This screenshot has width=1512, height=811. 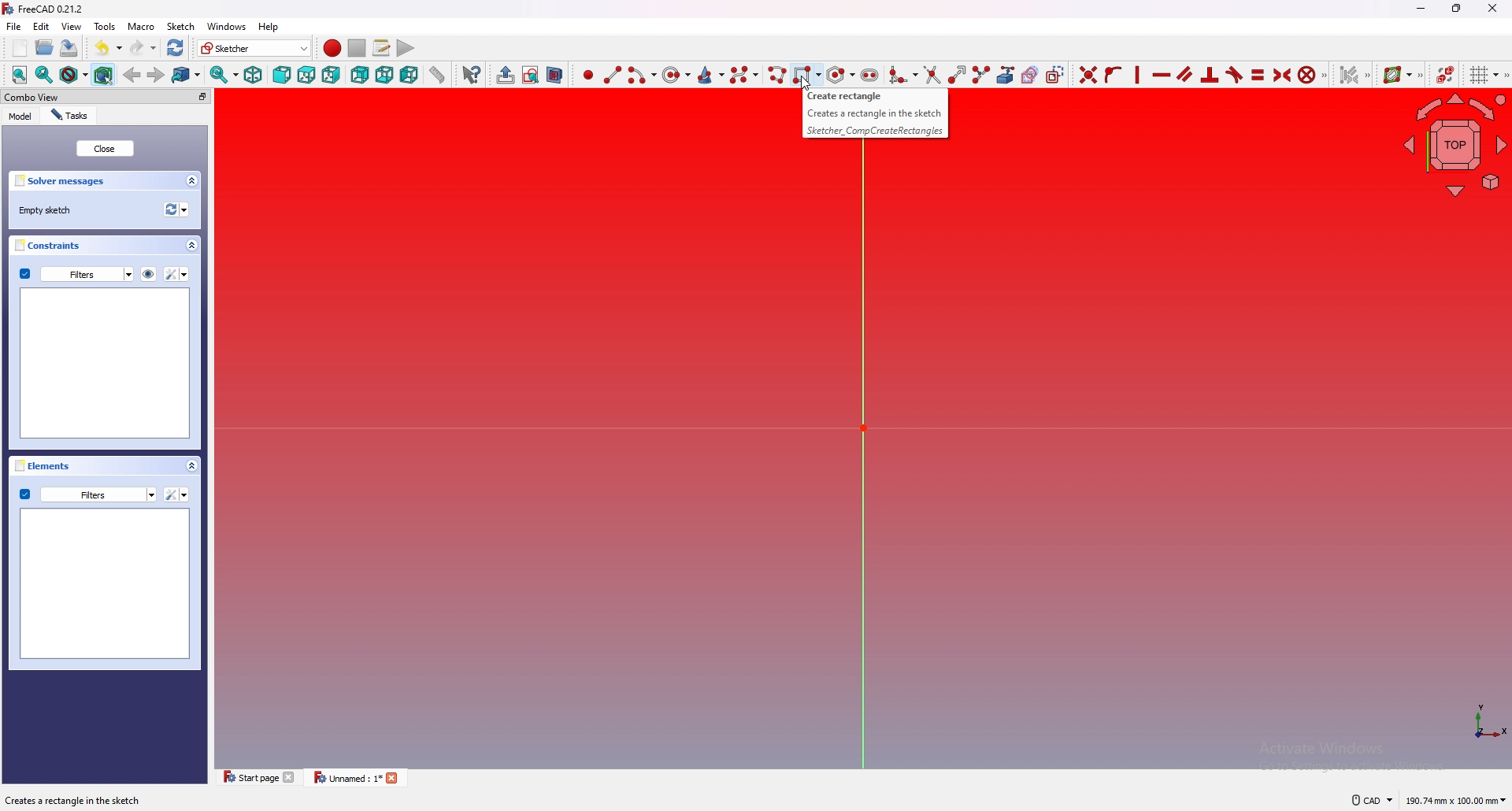 I want to click on create polyline, so click(x=778, y=75).